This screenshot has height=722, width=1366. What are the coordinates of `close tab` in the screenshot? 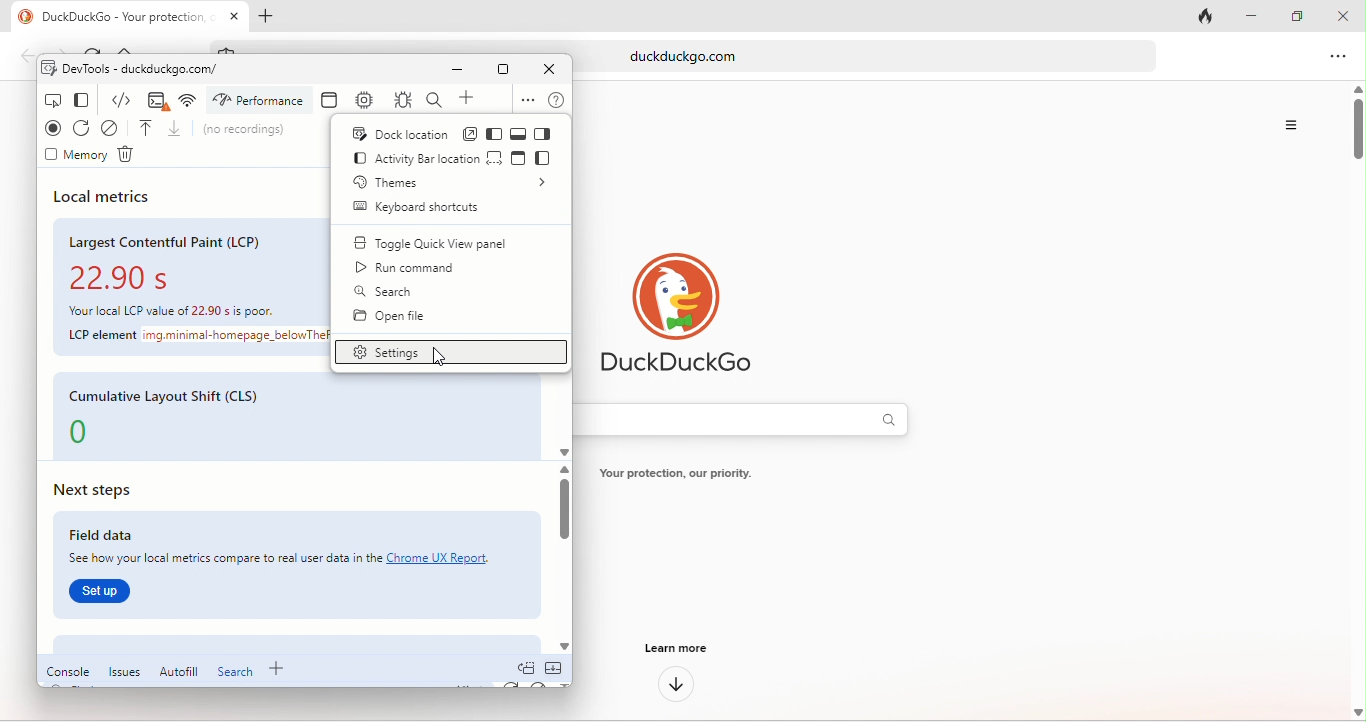 It's located at (235, 14).